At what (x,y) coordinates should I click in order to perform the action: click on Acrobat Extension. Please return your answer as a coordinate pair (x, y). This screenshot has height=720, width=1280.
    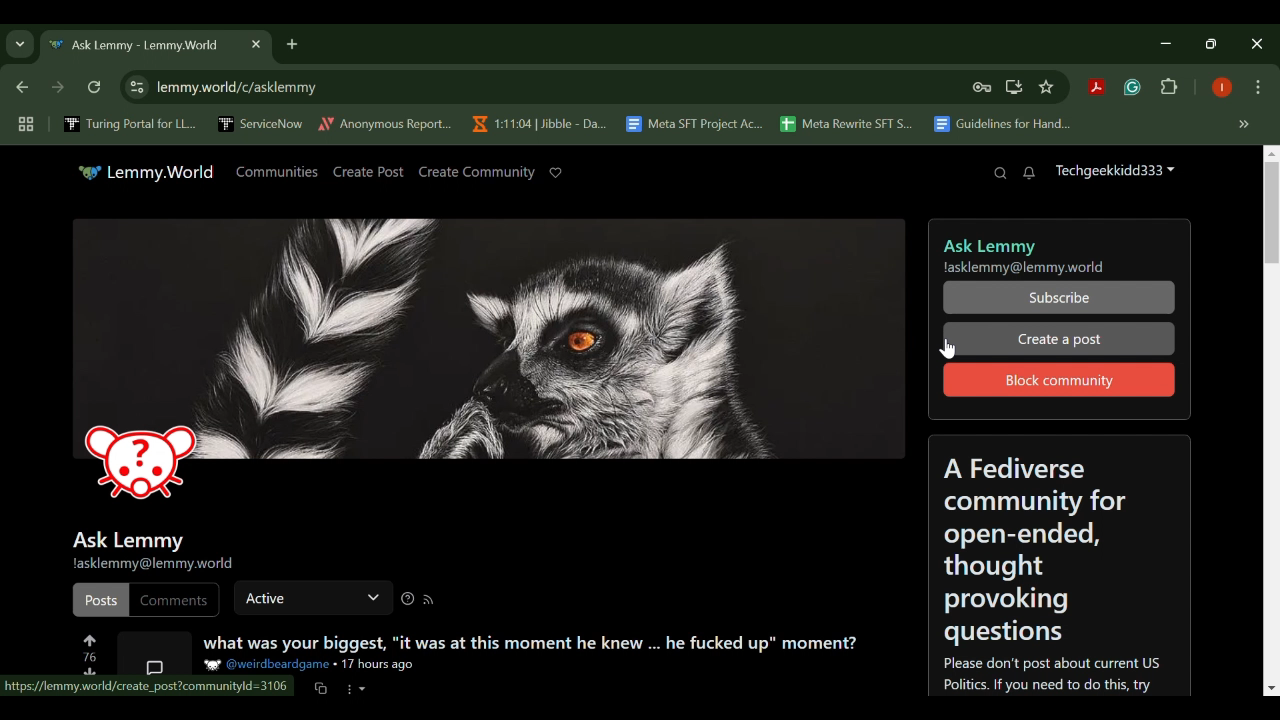
    Looking at the image, I should click on (1096, 88).